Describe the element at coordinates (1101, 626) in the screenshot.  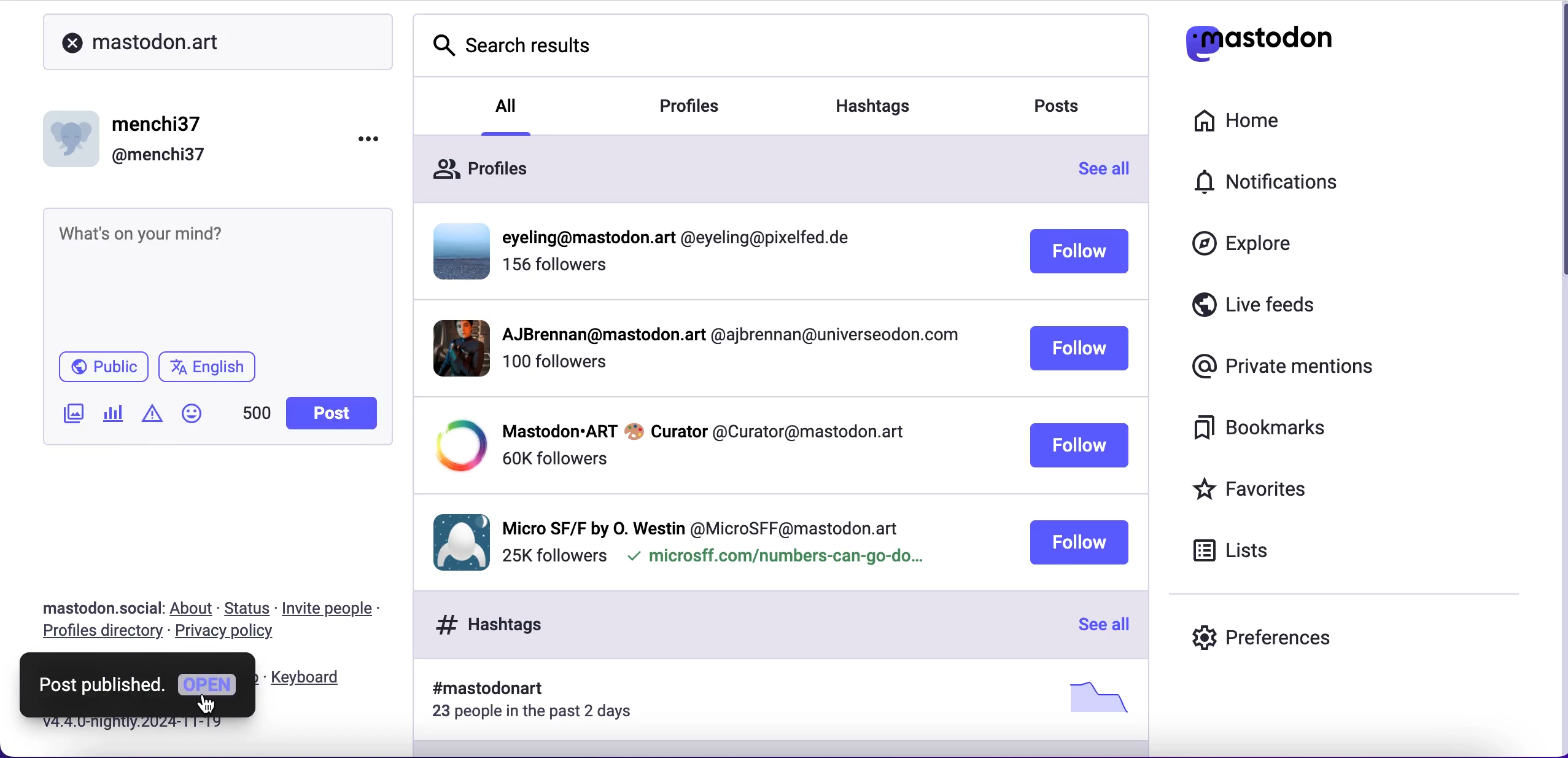
I see `see all` at that location.